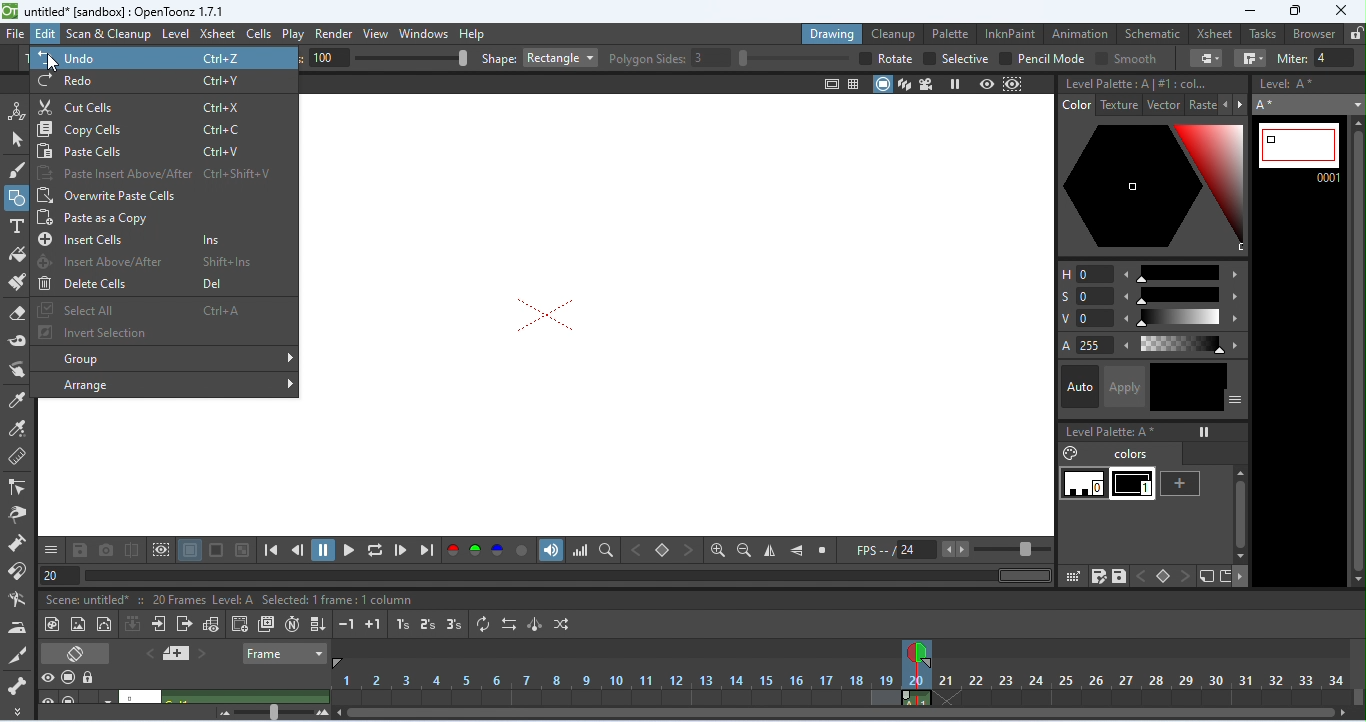 The width and height of the screenshot is (1366, 722). I want to click on sub camera preview, so click(1012, 84).